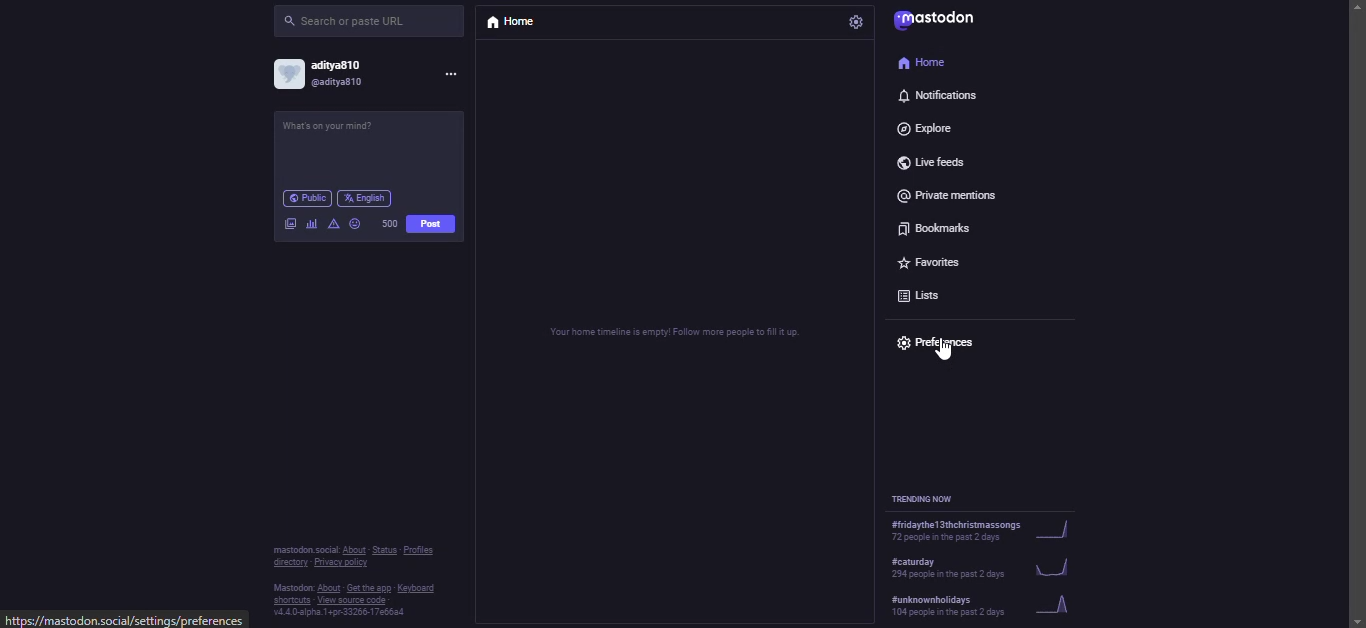 This screenshot has width=1366, height=628. I want to click on trending, so click(987, 529).